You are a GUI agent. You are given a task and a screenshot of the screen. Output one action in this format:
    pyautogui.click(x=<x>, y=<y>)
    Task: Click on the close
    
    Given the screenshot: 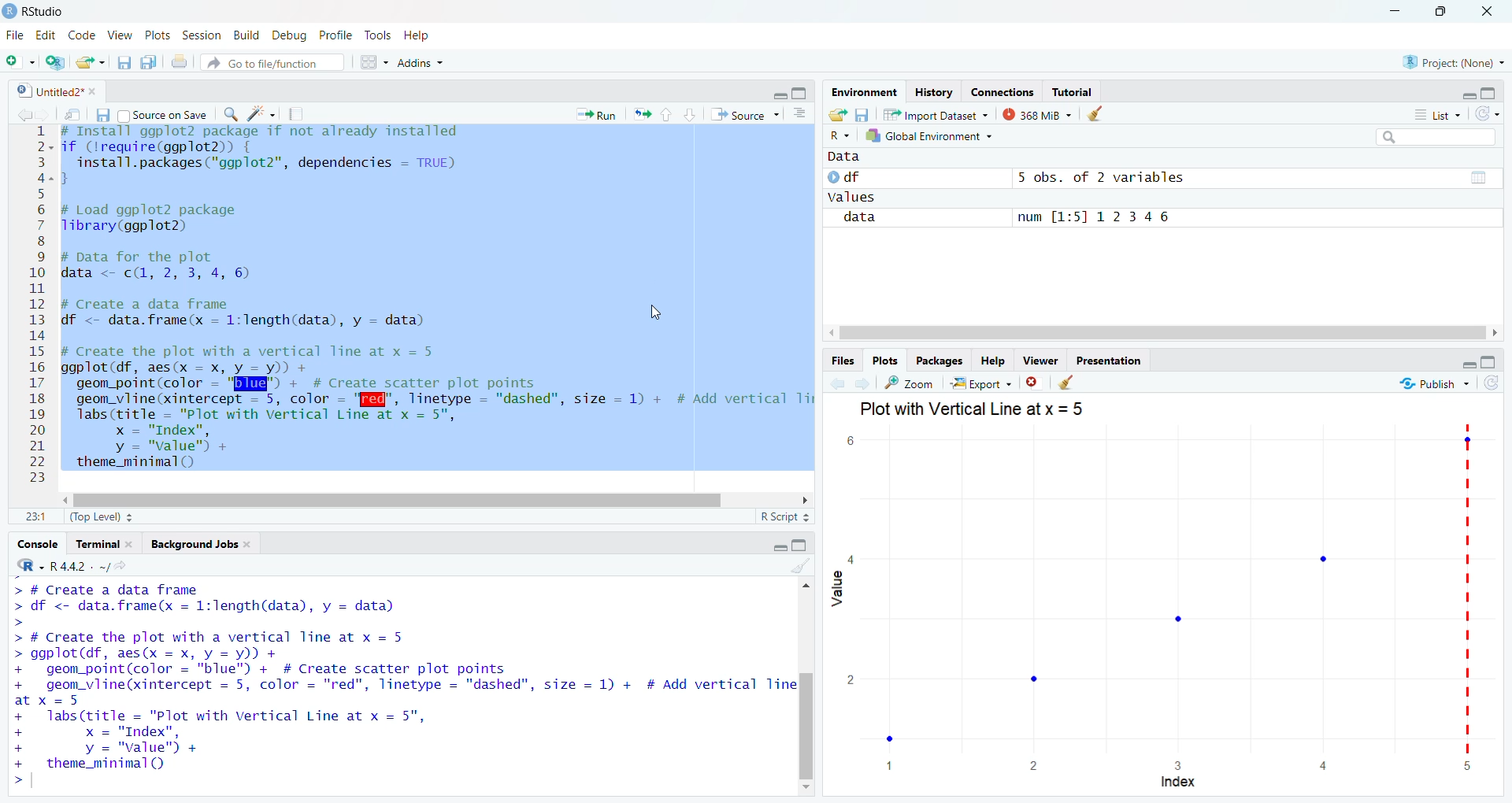 What is the action you would take?
    pyautogui.click(x=1492, y=13)
    